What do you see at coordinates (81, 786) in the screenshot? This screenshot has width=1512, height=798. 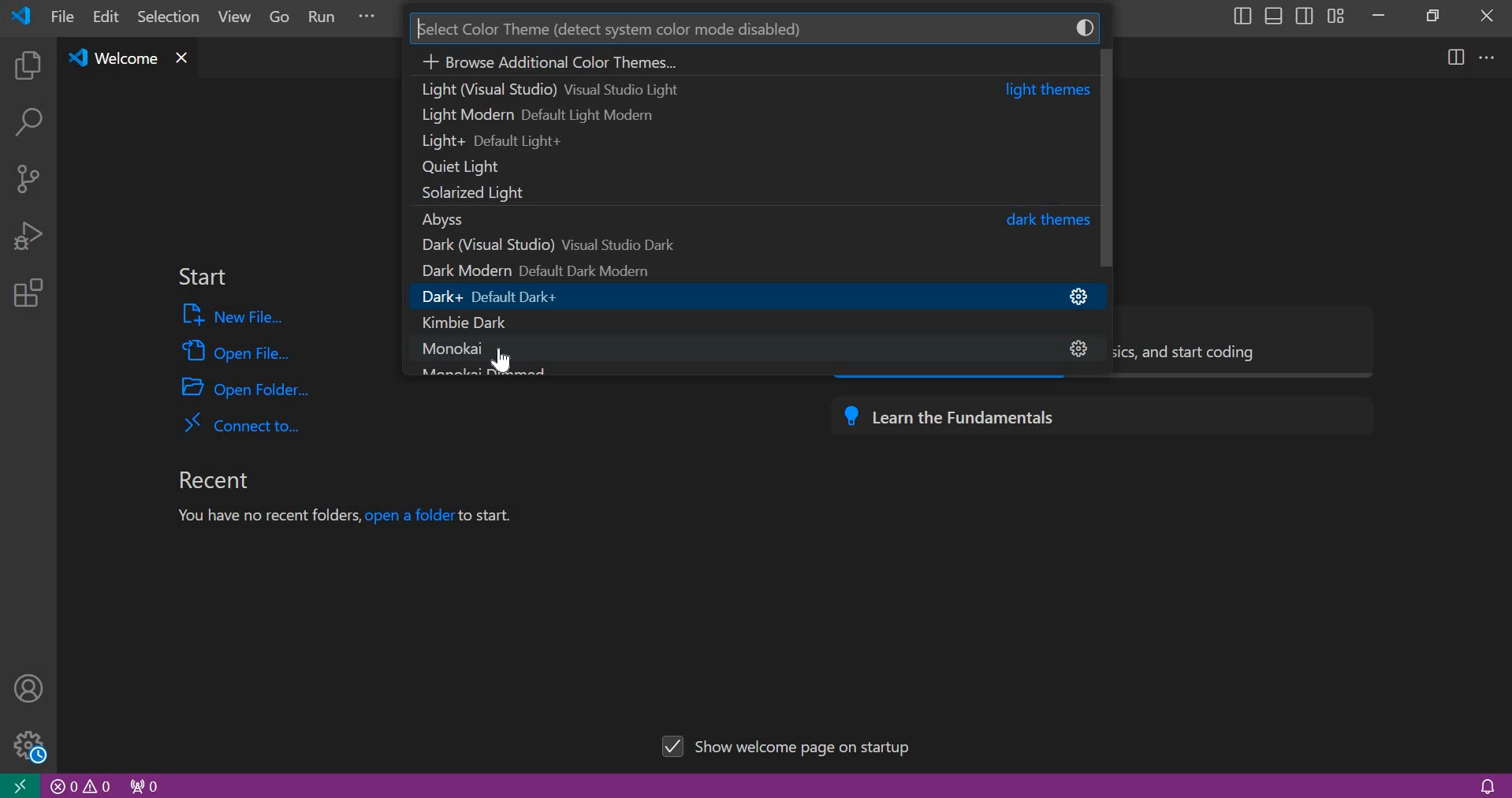 I see `no problems` at bounding box center [81, 786].